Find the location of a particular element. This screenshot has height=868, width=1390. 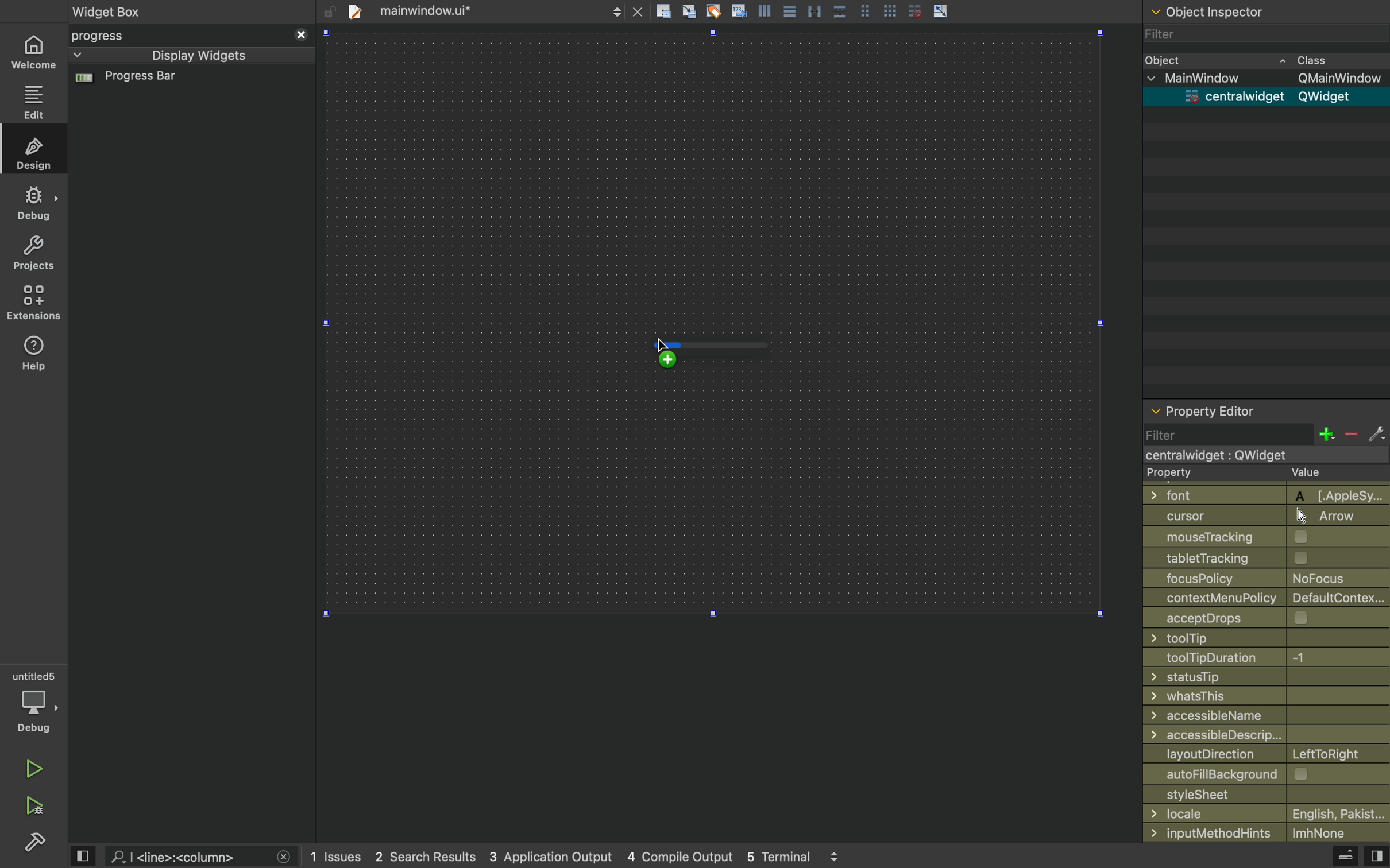

layout actions is located at coordinates (856, 11).